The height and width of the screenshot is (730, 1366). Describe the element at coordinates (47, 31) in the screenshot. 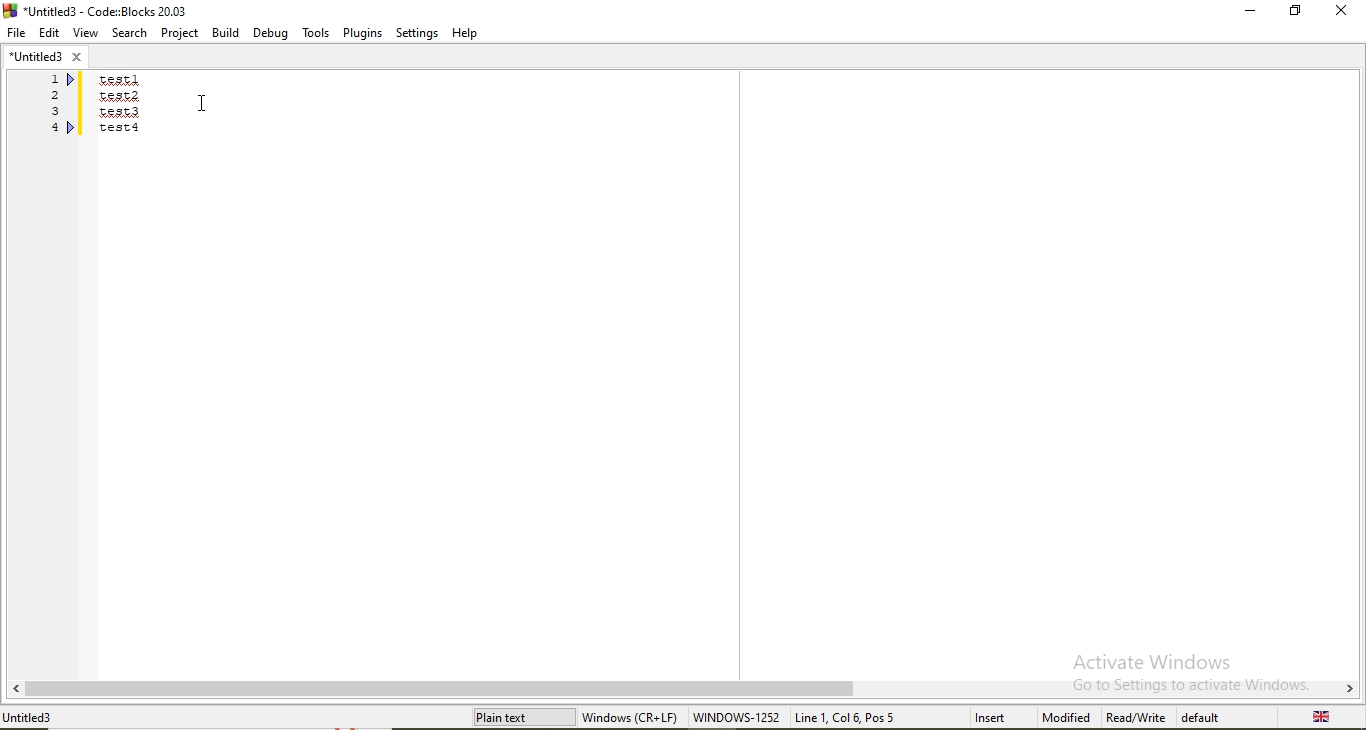

I see `Edit ` at that location.